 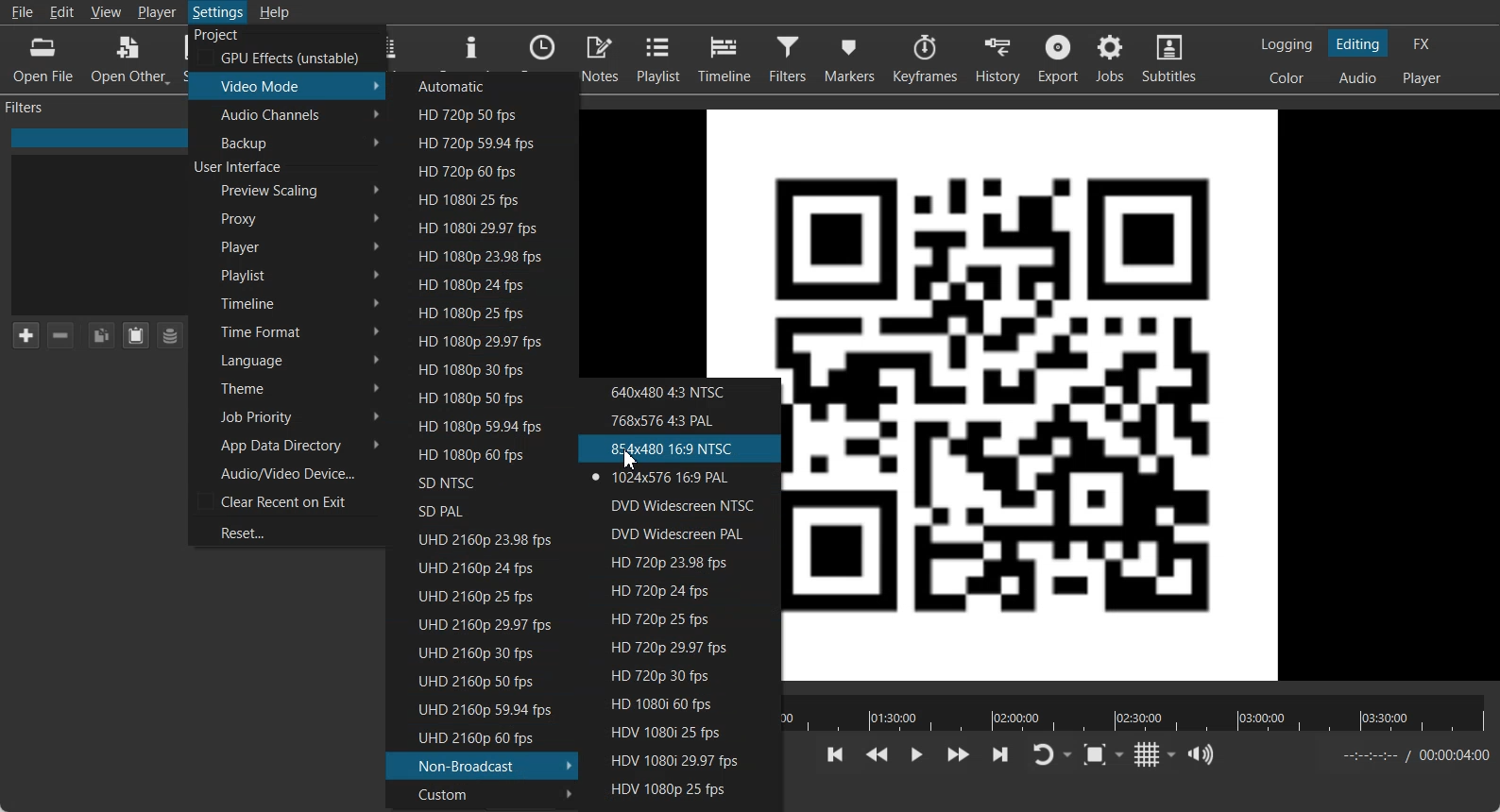 I want to click on Filter, so click(x=788, y=59).